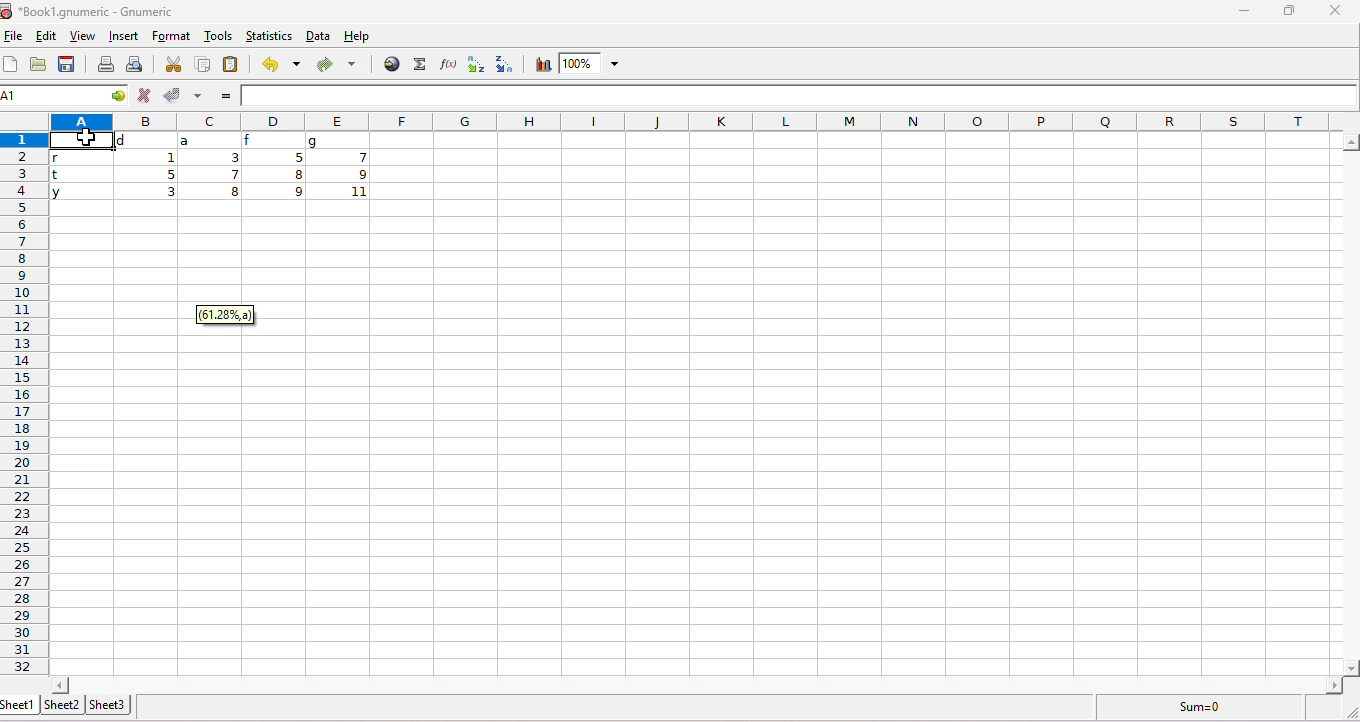  Describe the element at coordinates (12, 65) in the screenshot. I see `new` at that location.